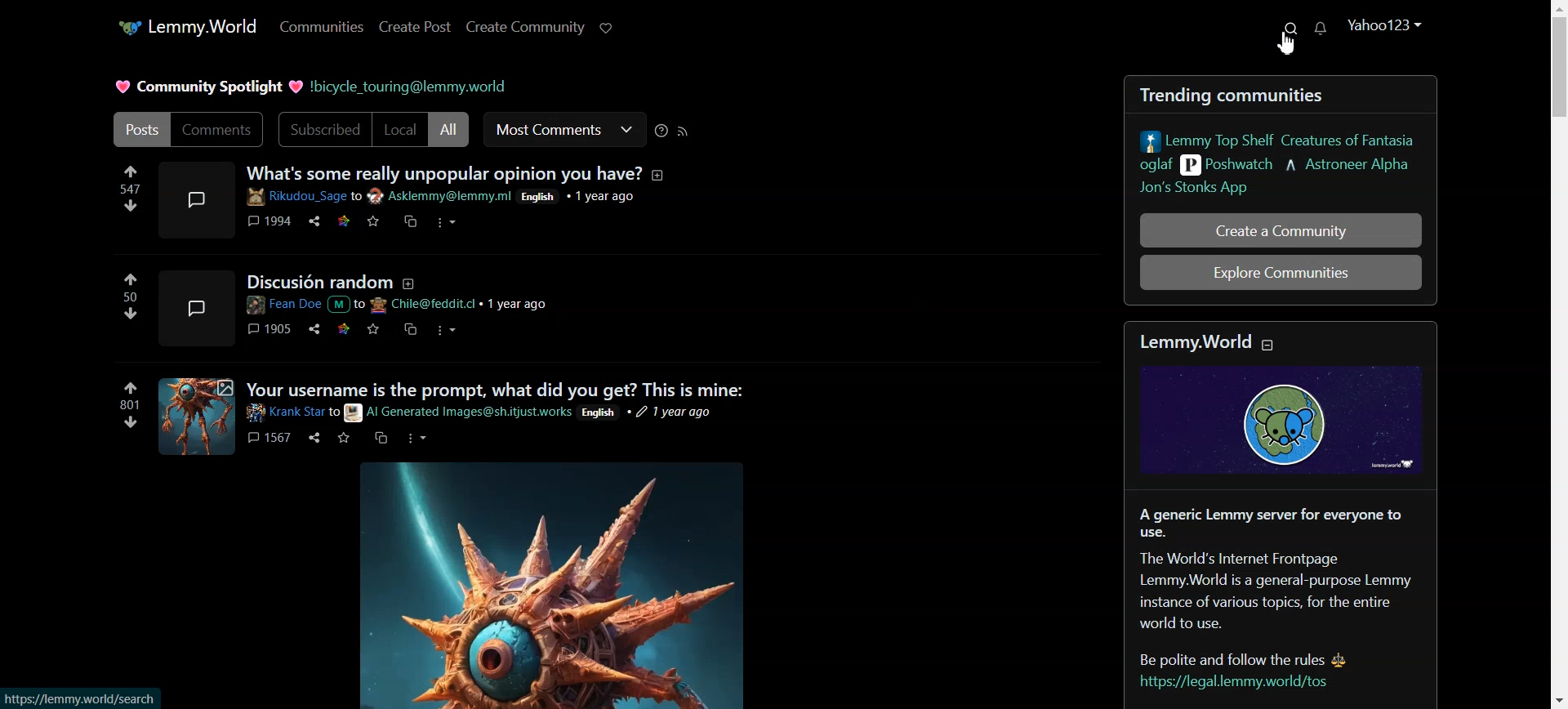 Image resolution: width=1568 pixels, height=709 pixels. I want to click on Vertical Scroll bar, so click(1552, 354).